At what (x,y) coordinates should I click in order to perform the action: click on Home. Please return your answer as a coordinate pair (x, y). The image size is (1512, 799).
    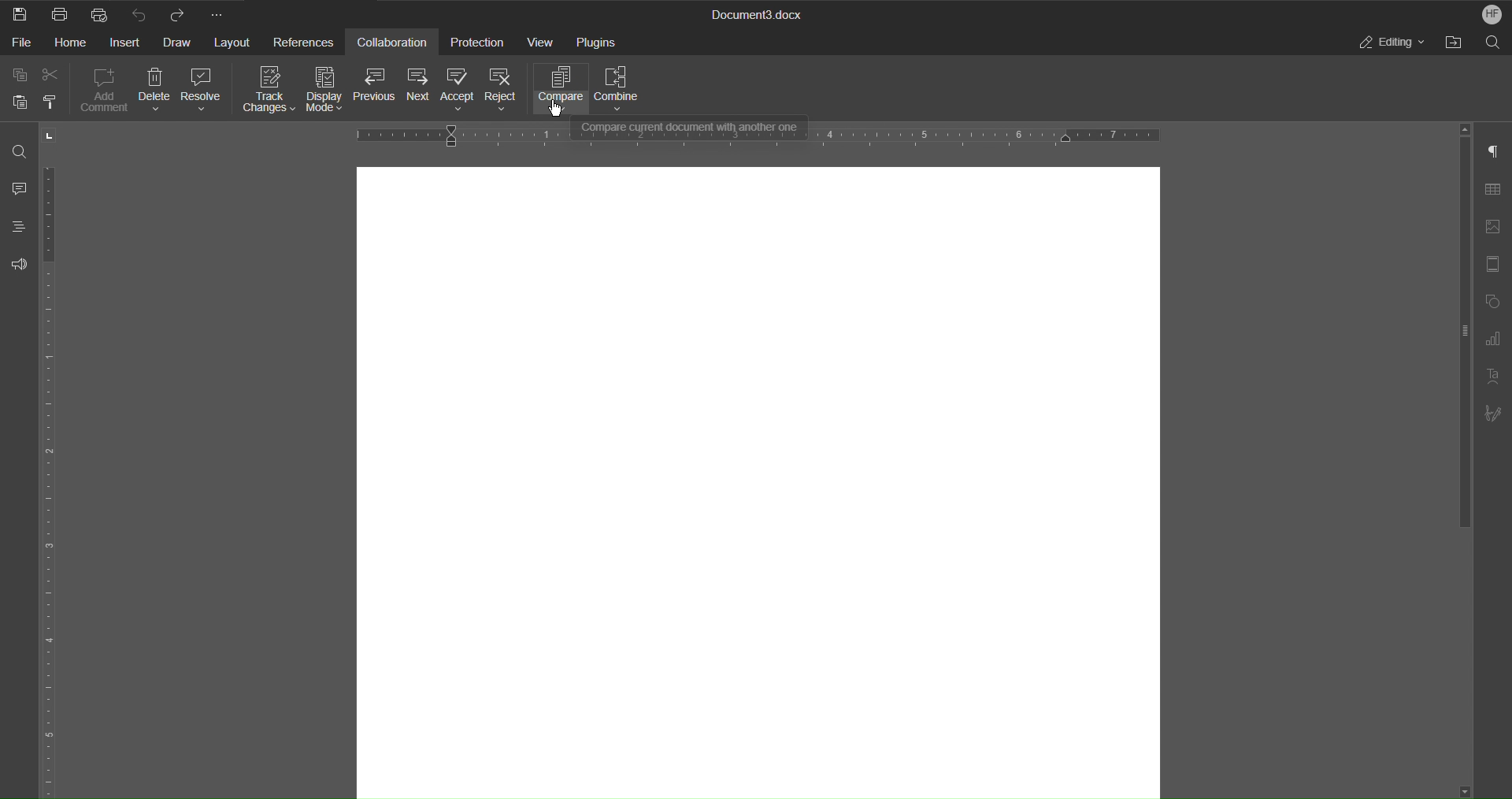
    Looking at the image, I should click on (74, 44).